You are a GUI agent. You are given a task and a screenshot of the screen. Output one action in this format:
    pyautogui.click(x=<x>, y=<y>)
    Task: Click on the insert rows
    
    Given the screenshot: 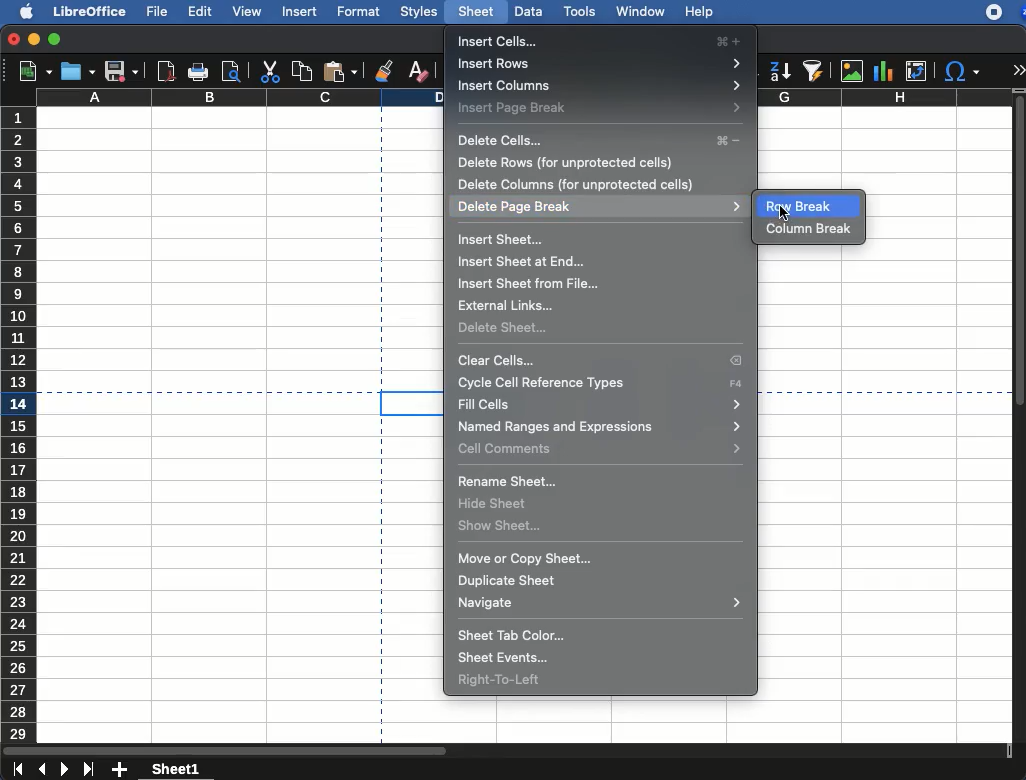 What is the action you would take?
    pyautogui.click(x=600, y=63)
    